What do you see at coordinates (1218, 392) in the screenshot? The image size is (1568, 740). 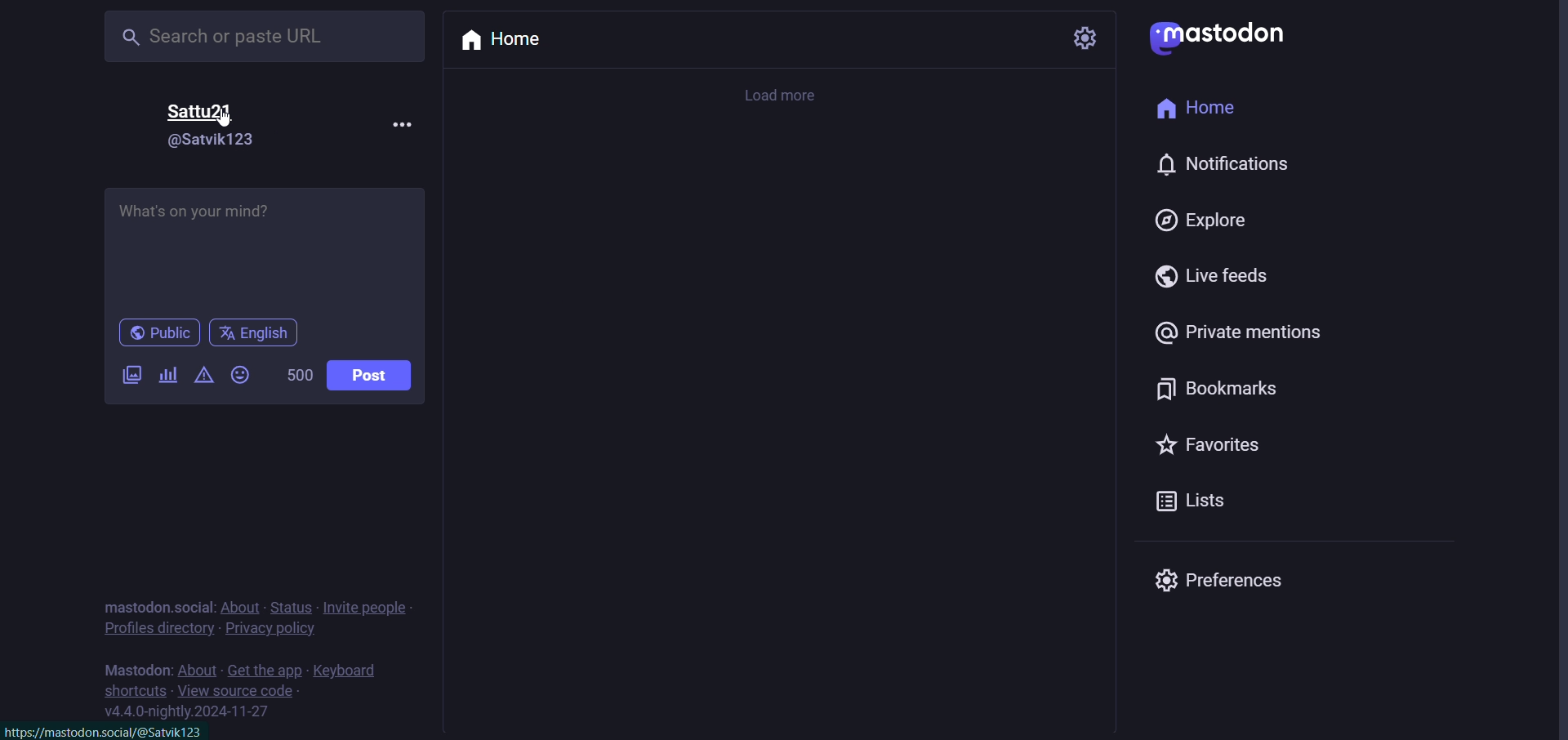 I see `bookmarks` at bounding box center [1218, 392].